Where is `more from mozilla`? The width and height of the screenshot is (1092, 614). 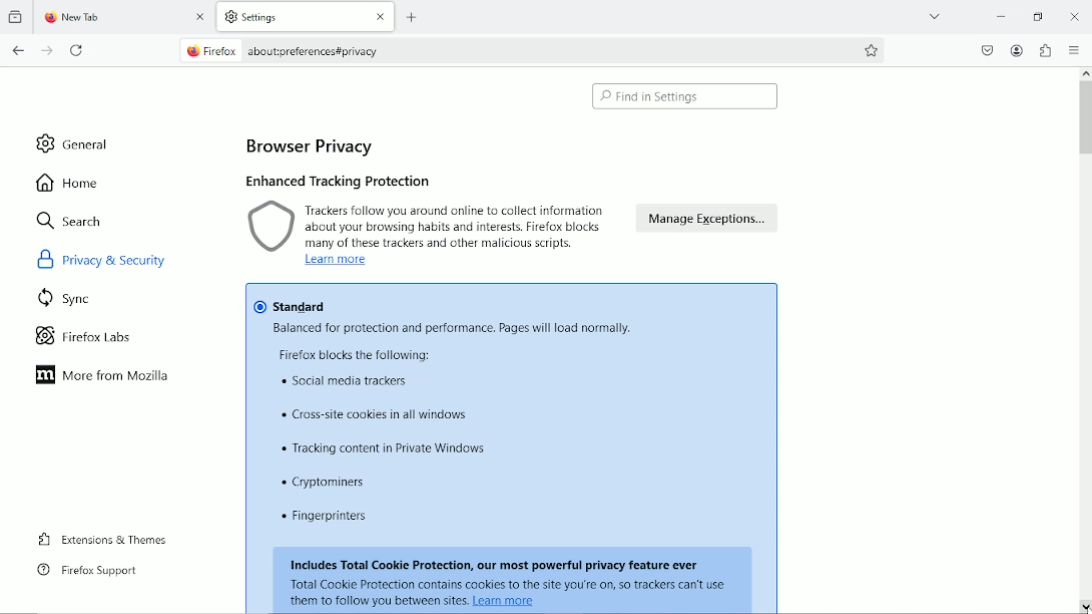 more from mozilla is located at coordinates (104, 376).